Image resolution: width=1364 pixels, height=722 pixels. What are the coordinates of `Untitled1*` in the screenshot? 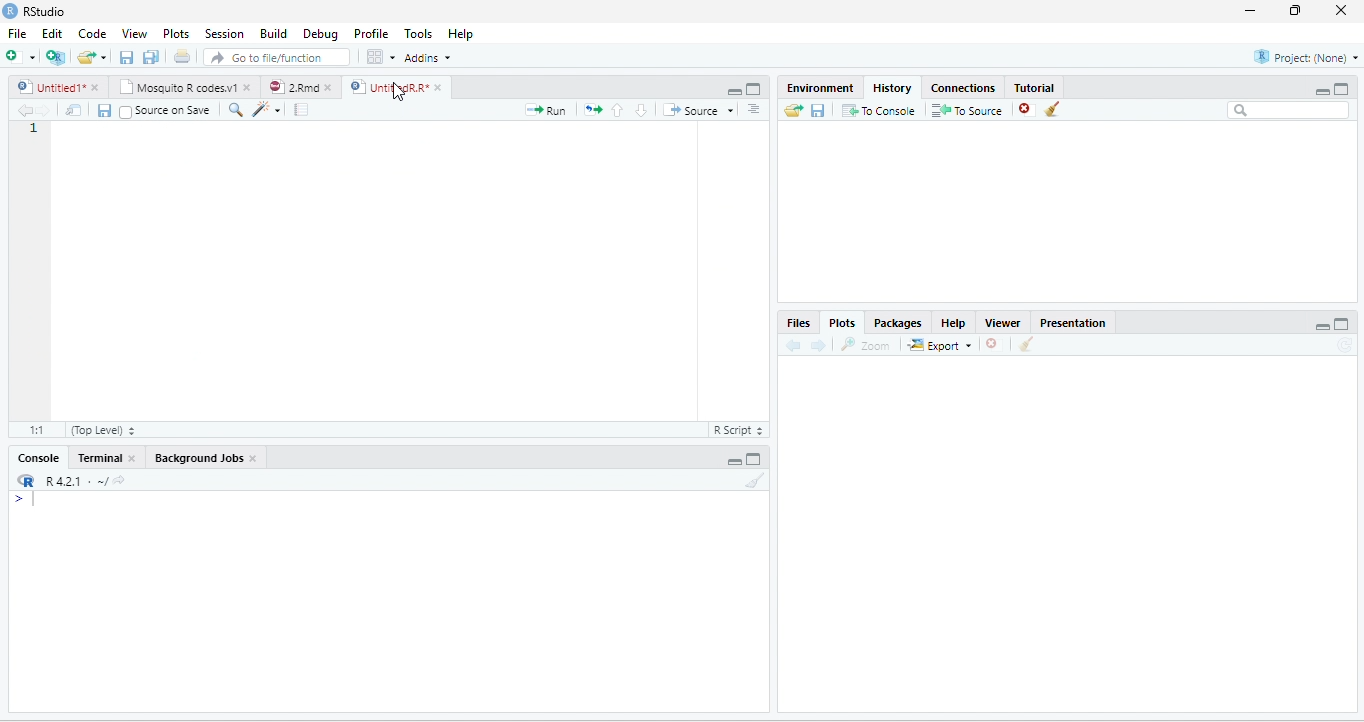 It's located at (48, 87).